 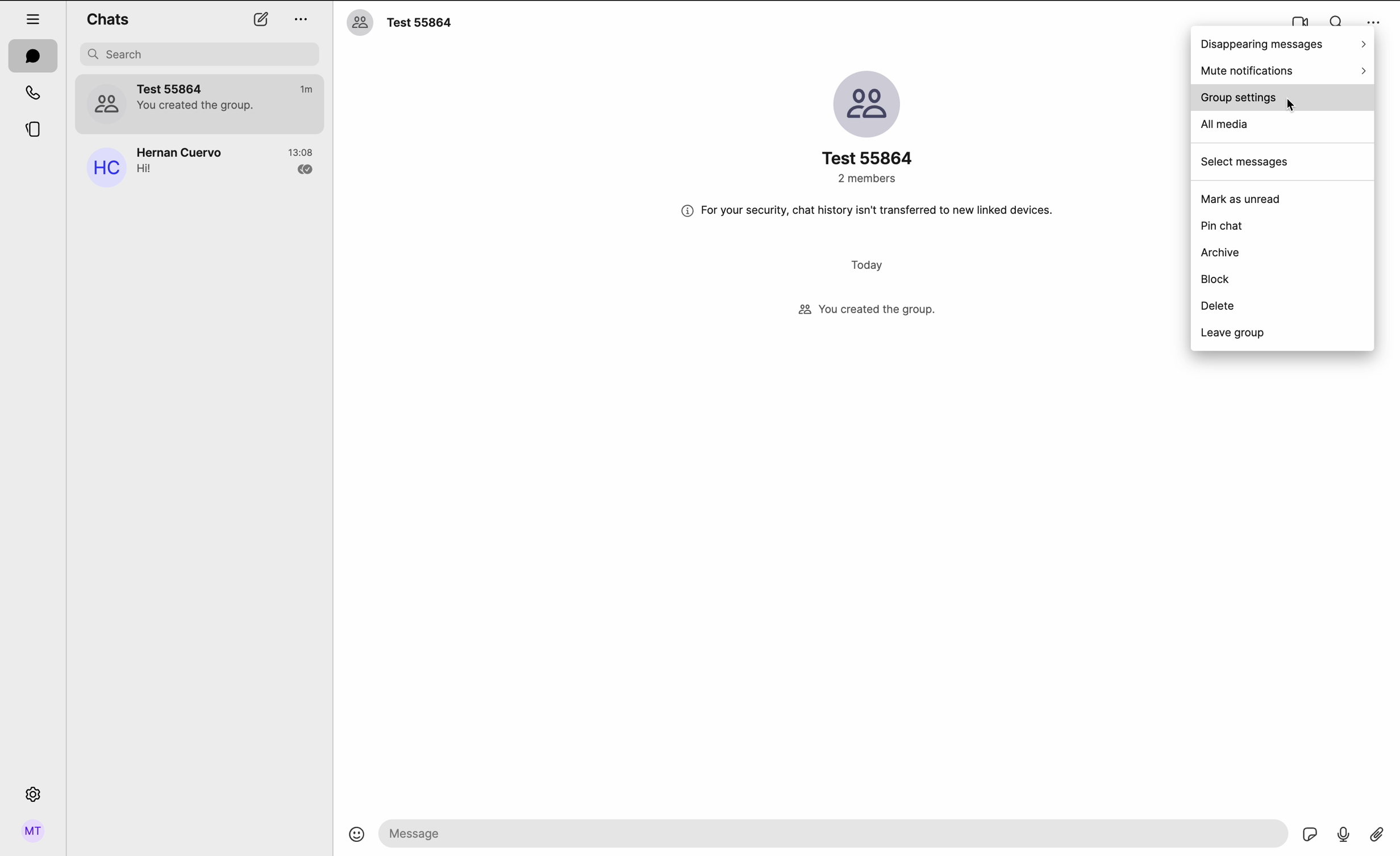 What do you see at coordinates (1282, 99) in the screenshot?
I see `cursor on group settings` at bounding box center [1282, 99].